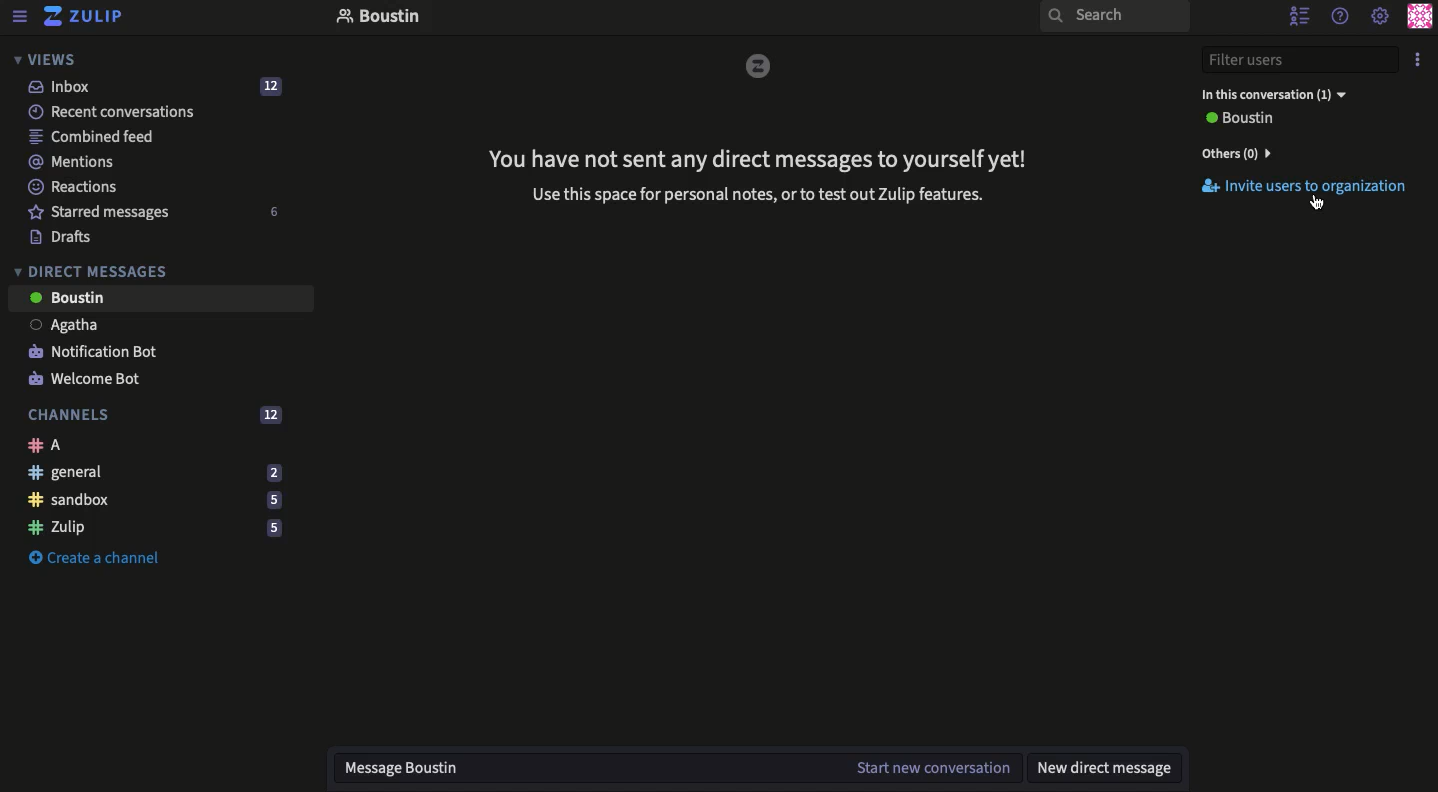 Image resolution: width=1438 pixels, height=792 pixels. What do you see at coordinates (1236, 119) in the screenshot?
I see `User` at bounding box center [1236, 119].